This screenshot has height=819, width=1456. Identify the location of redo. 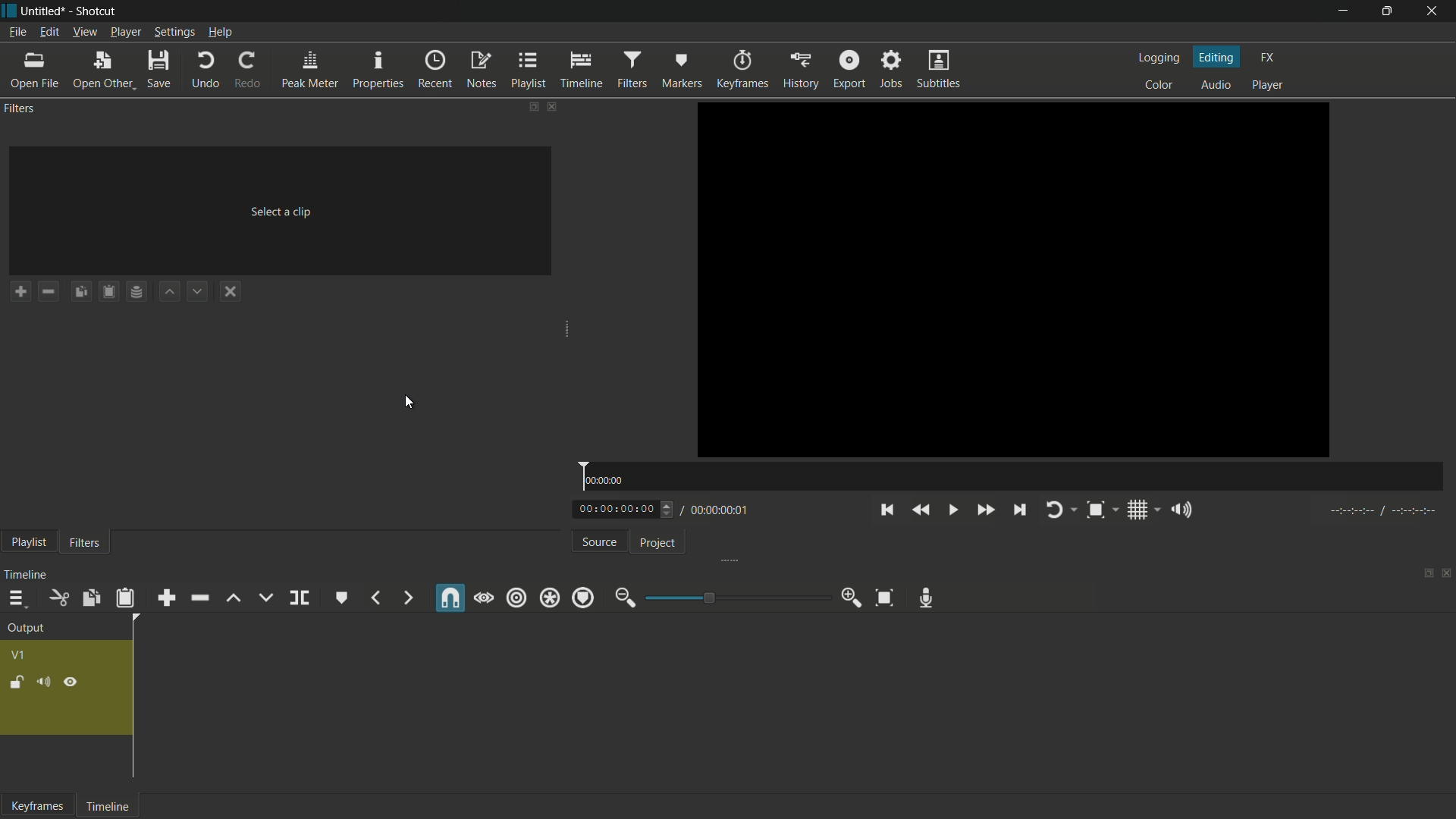
(247, 71).